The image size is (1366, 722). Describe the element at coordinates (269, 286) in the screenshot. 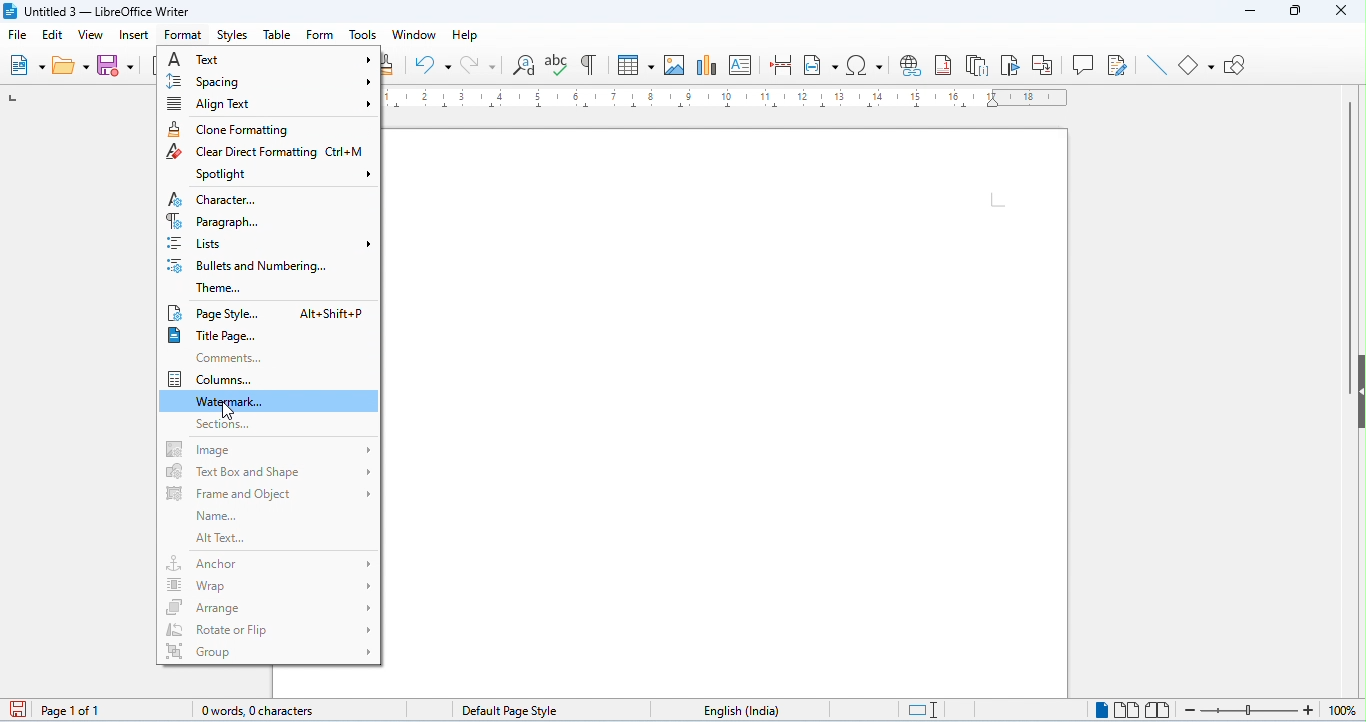

I see `theme` at that location.